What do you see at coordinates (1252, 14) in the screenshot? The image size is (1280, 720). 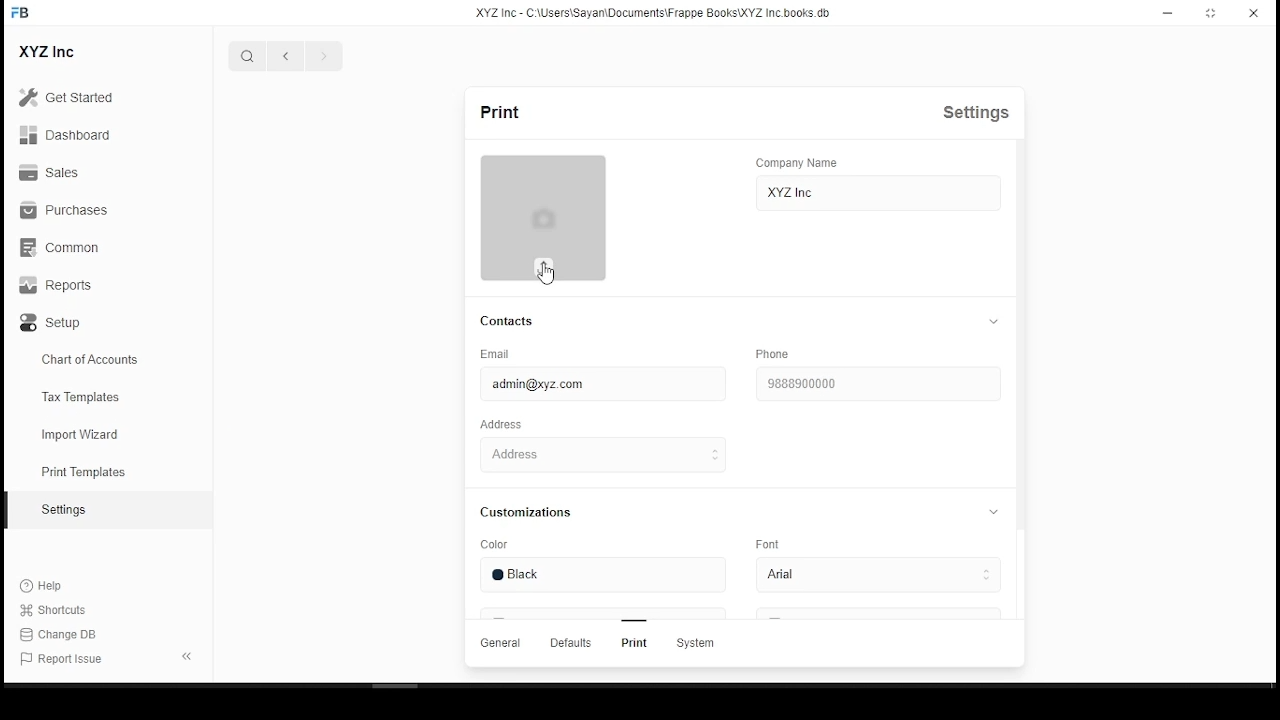 I see `close window` at bounding box center [1252, 14].